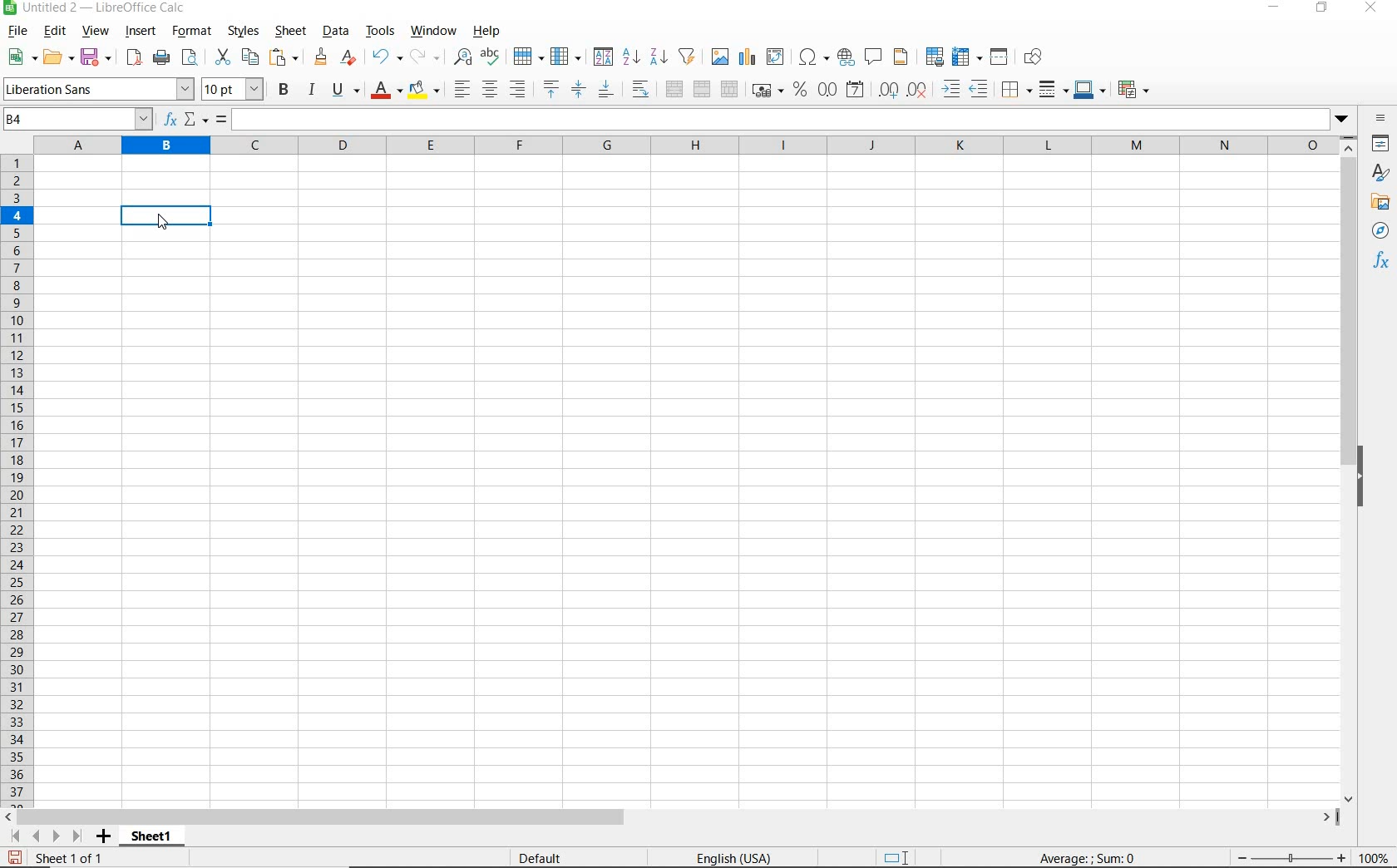 The width and height of the screenshot is (1397, 868). I want to click on insert comment, so click(874, 57).